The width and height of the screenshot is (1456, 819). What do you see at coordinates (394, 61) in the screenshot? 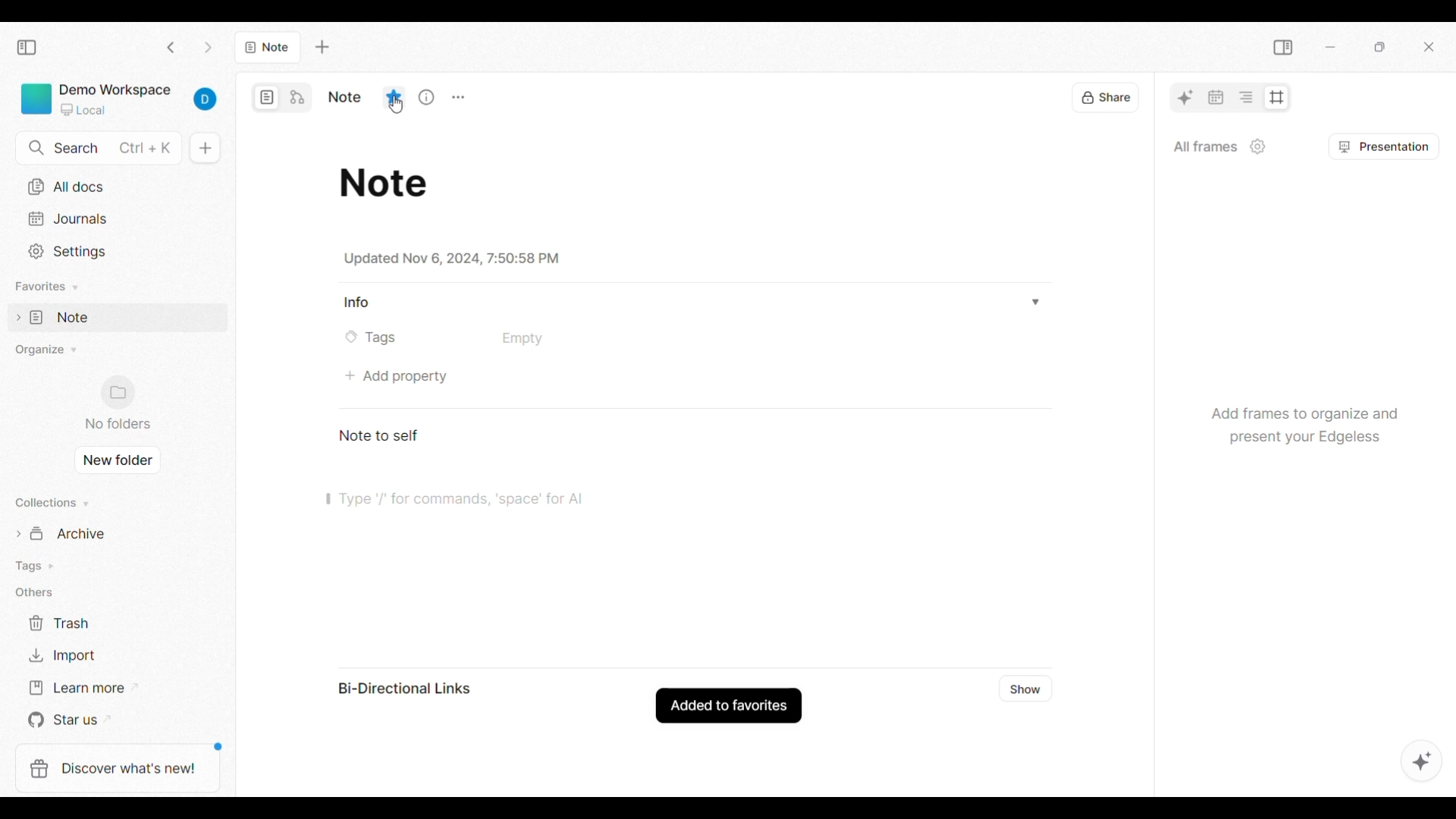
I see `Description of current icon` at bounding box center [394, 61].